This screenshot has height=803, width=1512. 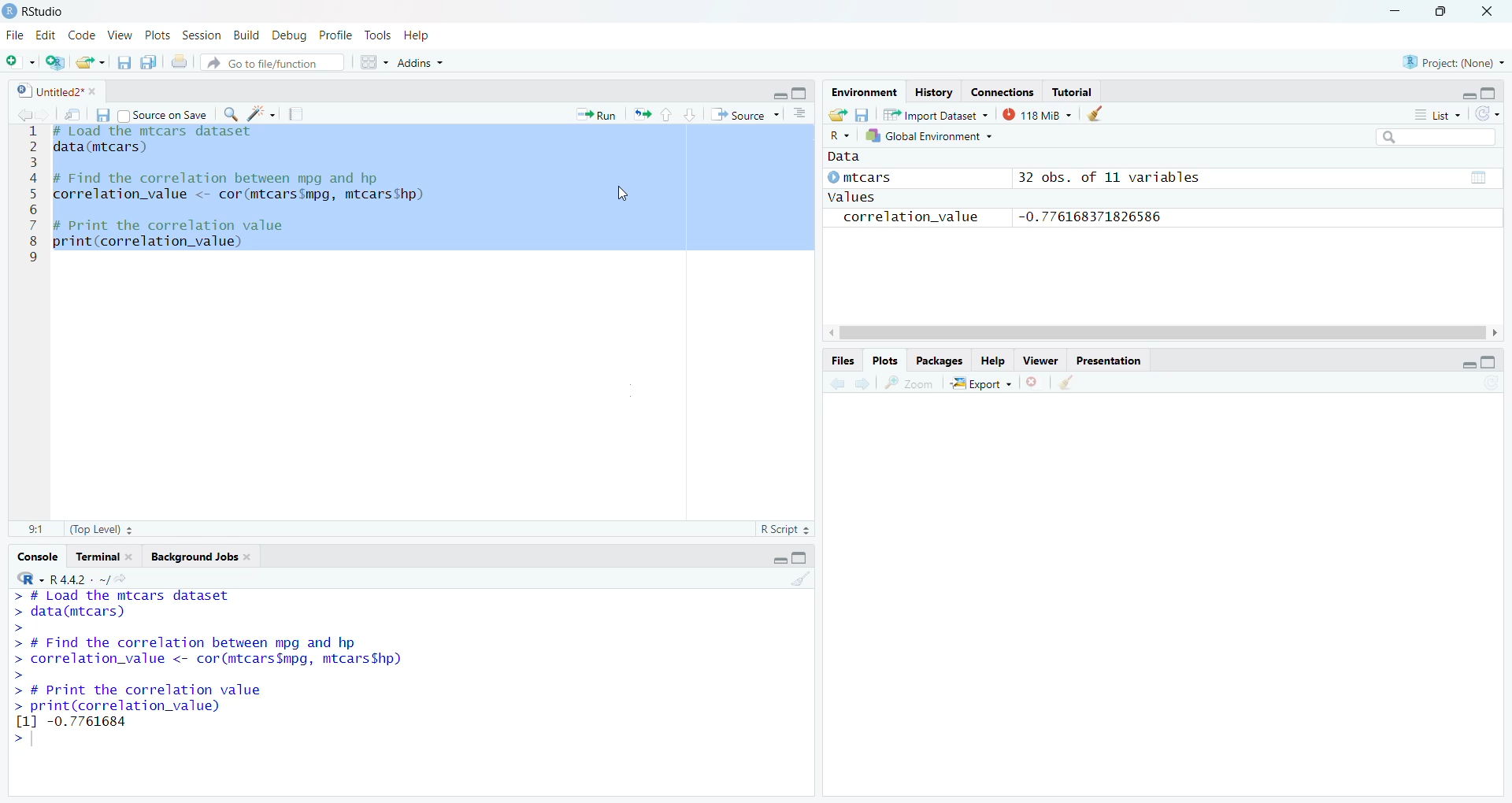 I want to click on Cursor, so click(x=622, y=192).